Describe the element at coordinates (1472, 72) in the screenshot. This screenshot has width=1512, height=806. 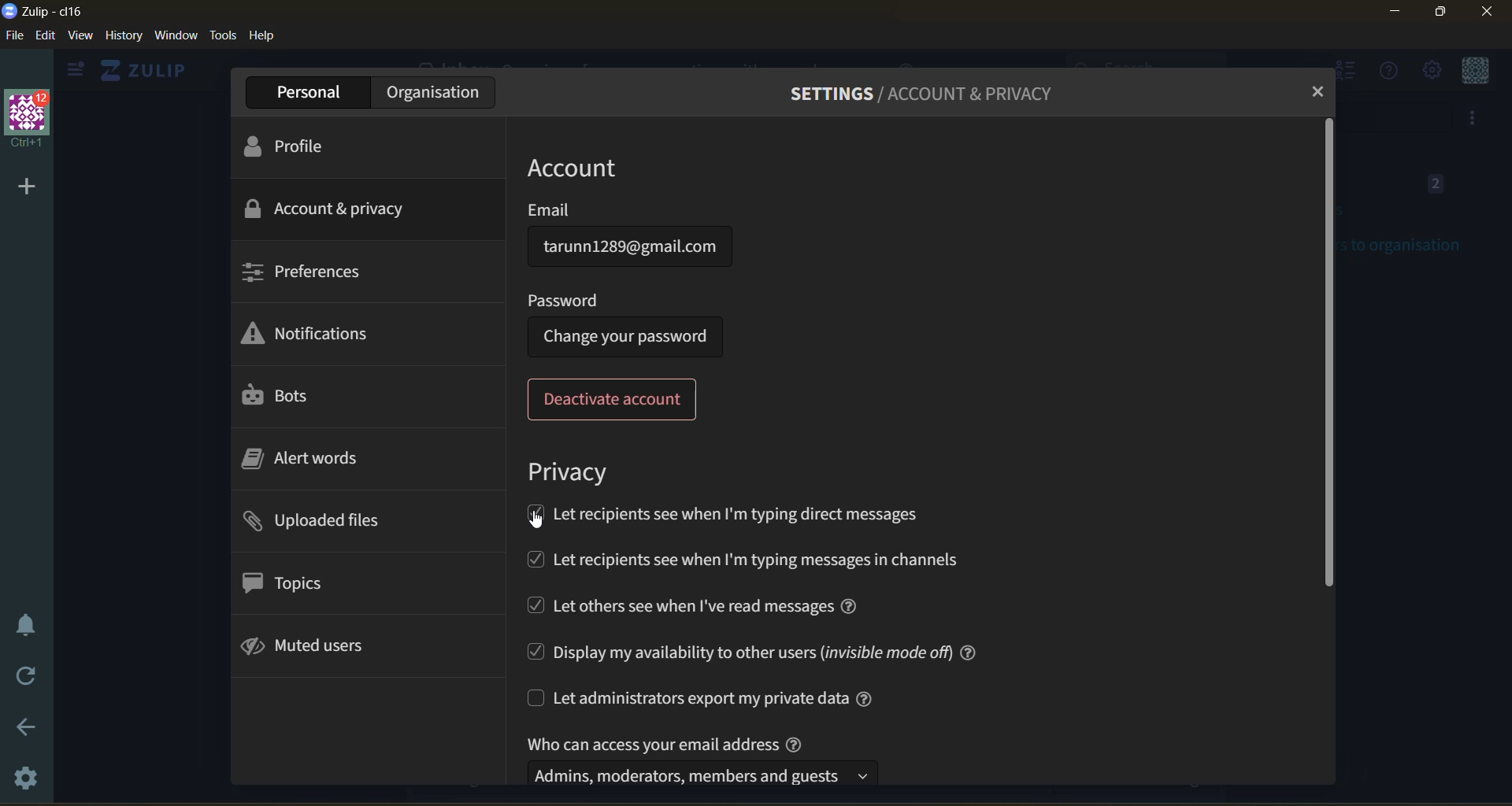
I see `personal menu` at that location.